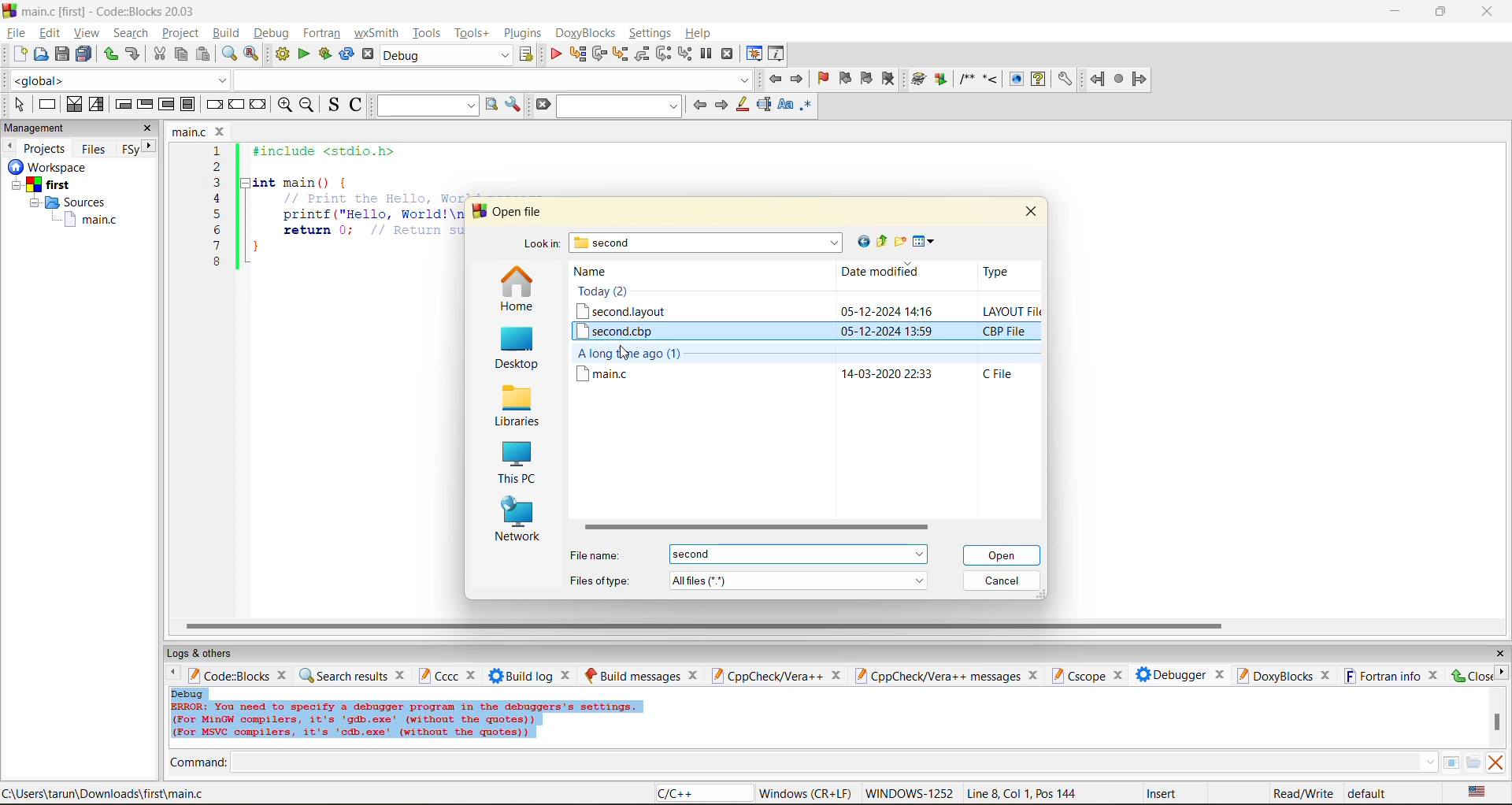  Describe the element at coordinates (72, 202) in the screenshot. I see `Sources` at that location.